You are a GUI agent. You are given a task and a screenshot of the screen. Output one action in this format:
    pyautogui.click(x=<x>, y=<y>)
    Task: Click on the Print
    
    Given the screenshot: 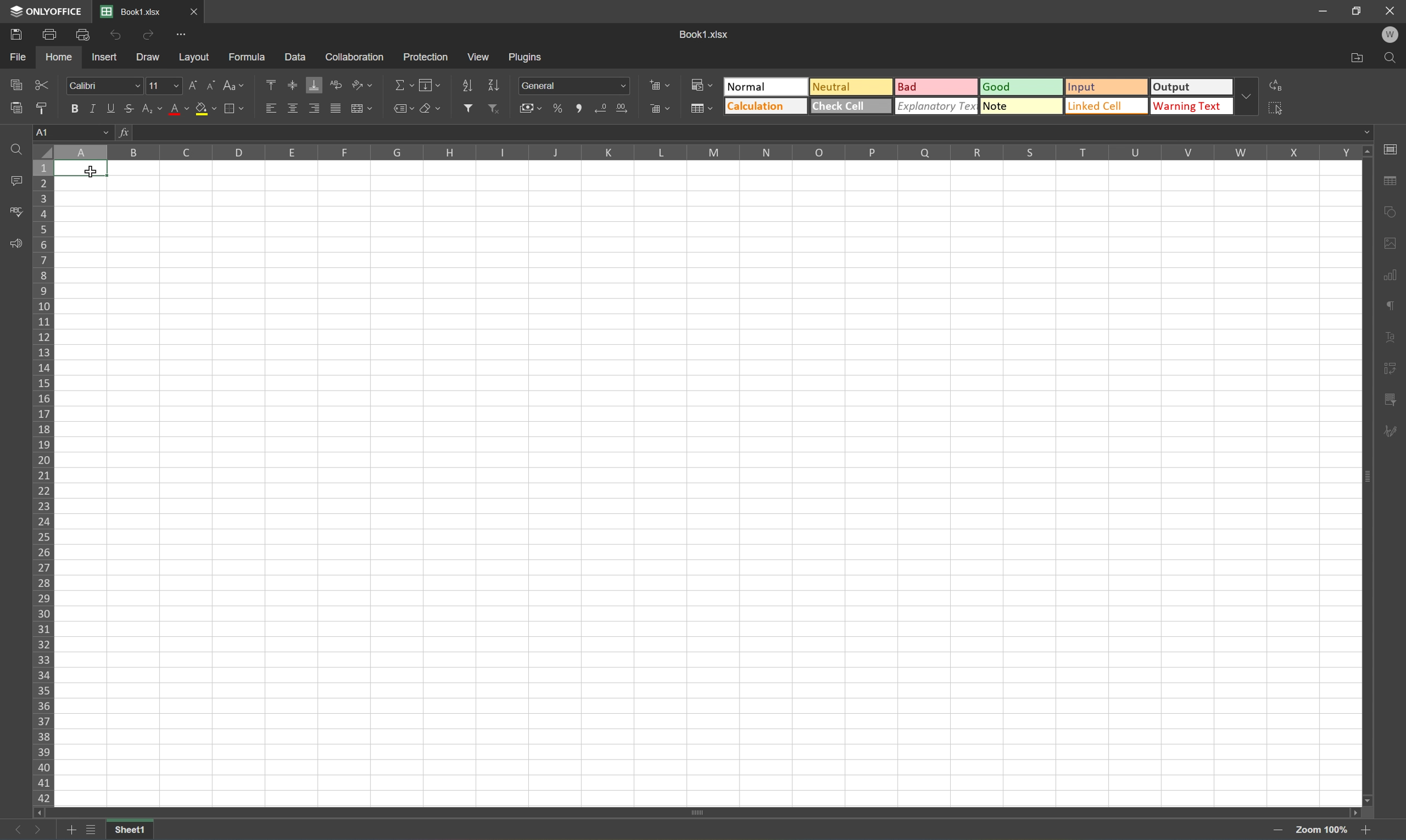 What is the action you would take?
    pyautogui.click(x=48, y=36)
    